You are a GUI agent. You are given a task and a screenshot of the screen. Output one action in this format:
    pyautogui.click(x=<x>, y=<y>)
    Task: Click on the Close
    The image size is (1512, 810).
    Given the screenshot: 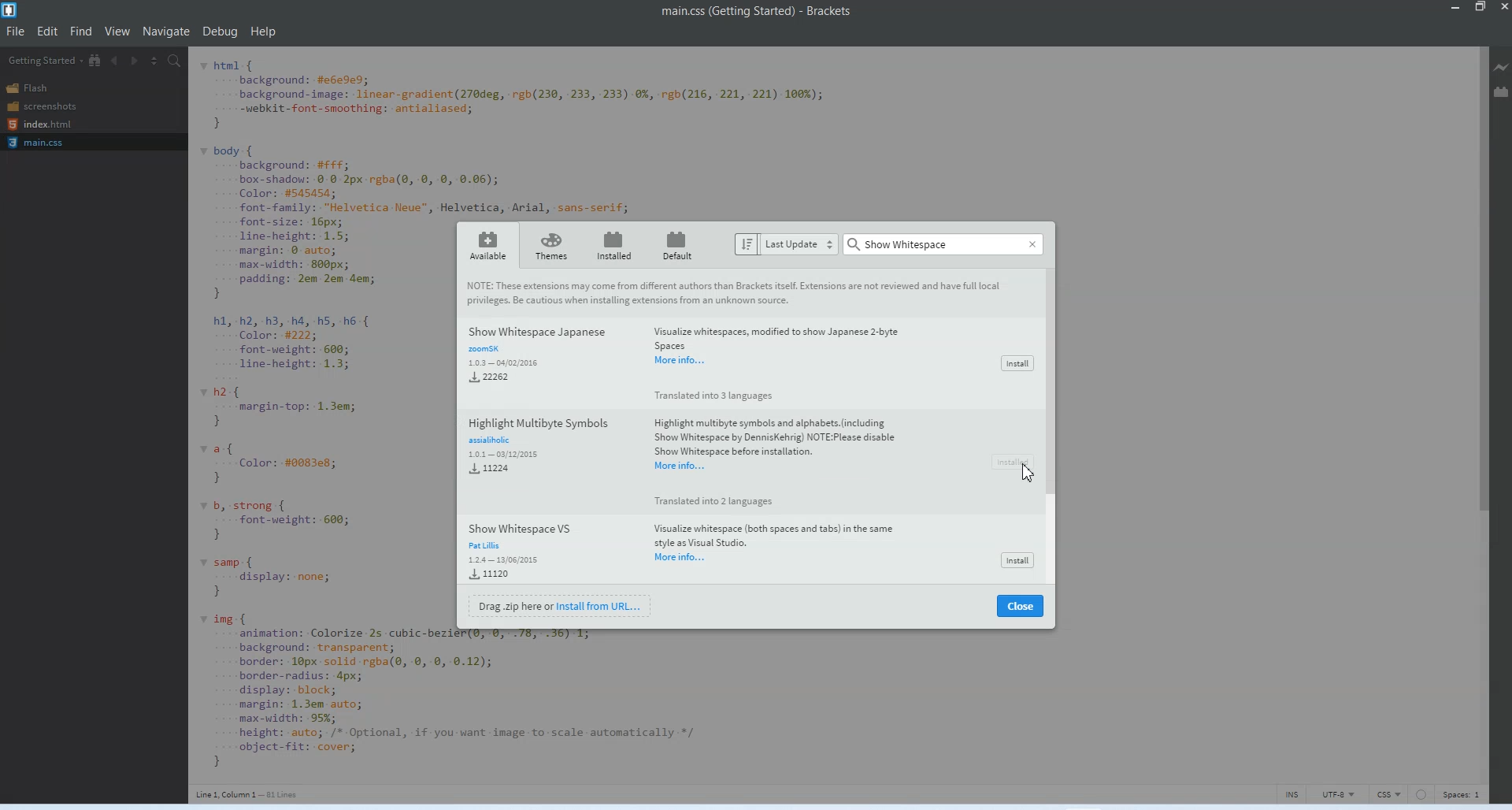 What is the action you would take?
    pyautogui.click(x=1021, y=606)
    